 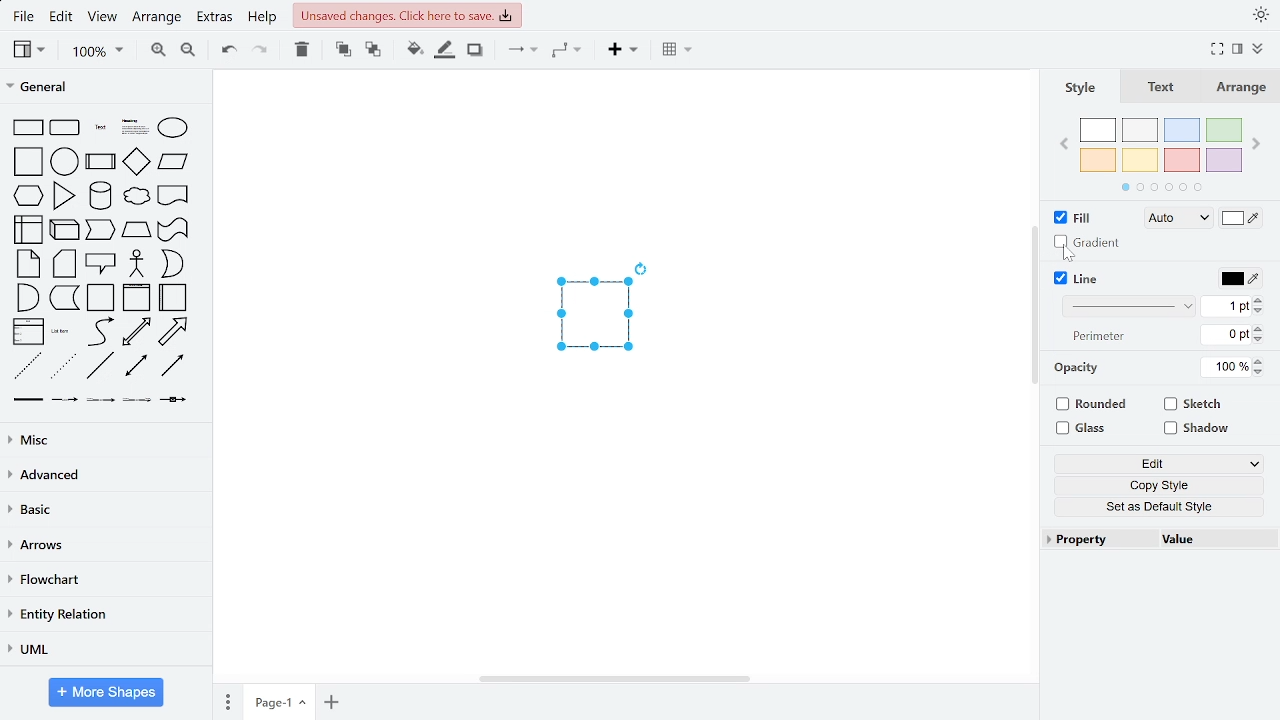 What do you see at coordinates (136, 298) in the screenshot?
I see `general shapes` at bounding box center [136, 298].